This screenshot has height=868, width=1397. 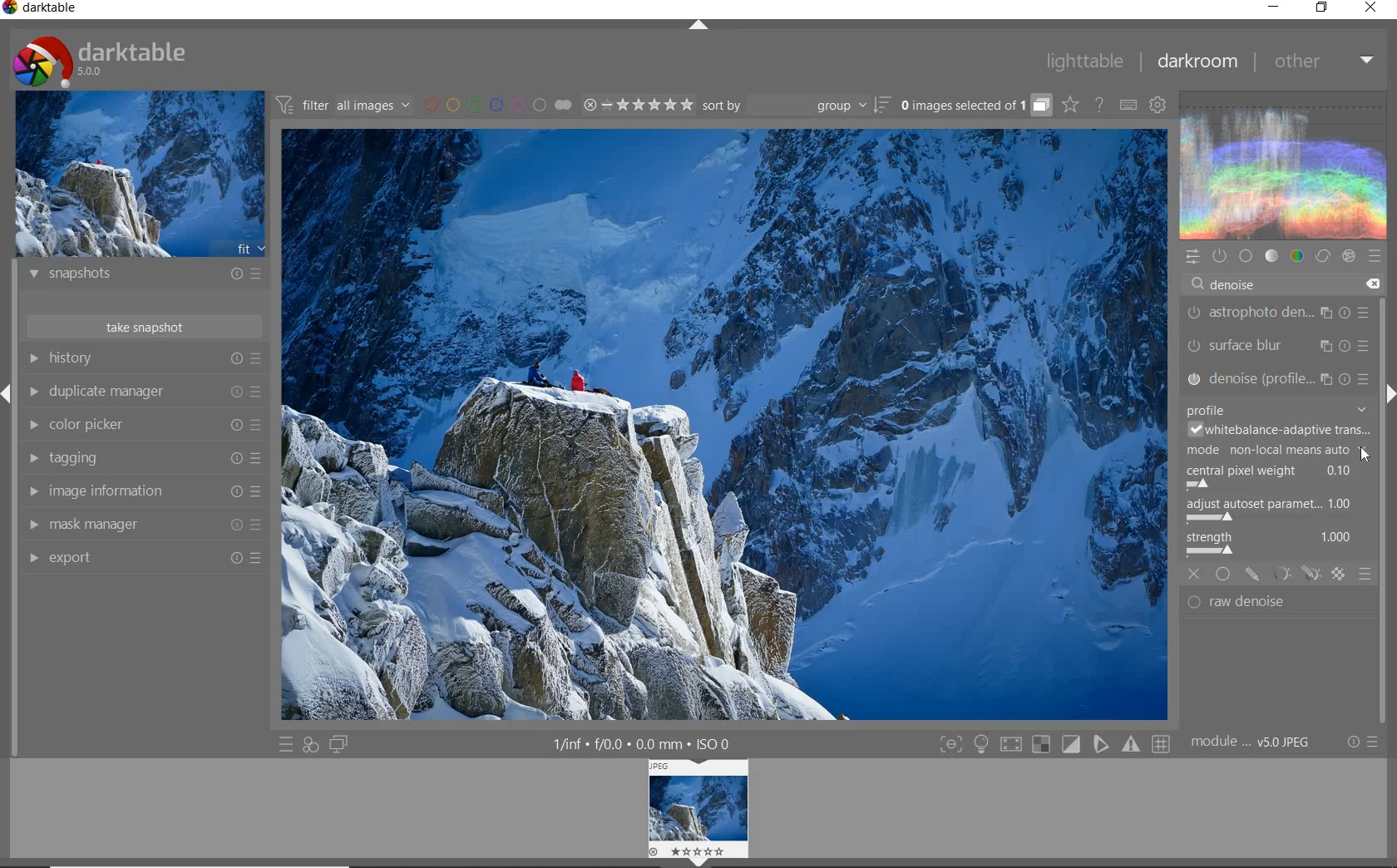 I want to click on mask manager, so click(x=142, y=525).